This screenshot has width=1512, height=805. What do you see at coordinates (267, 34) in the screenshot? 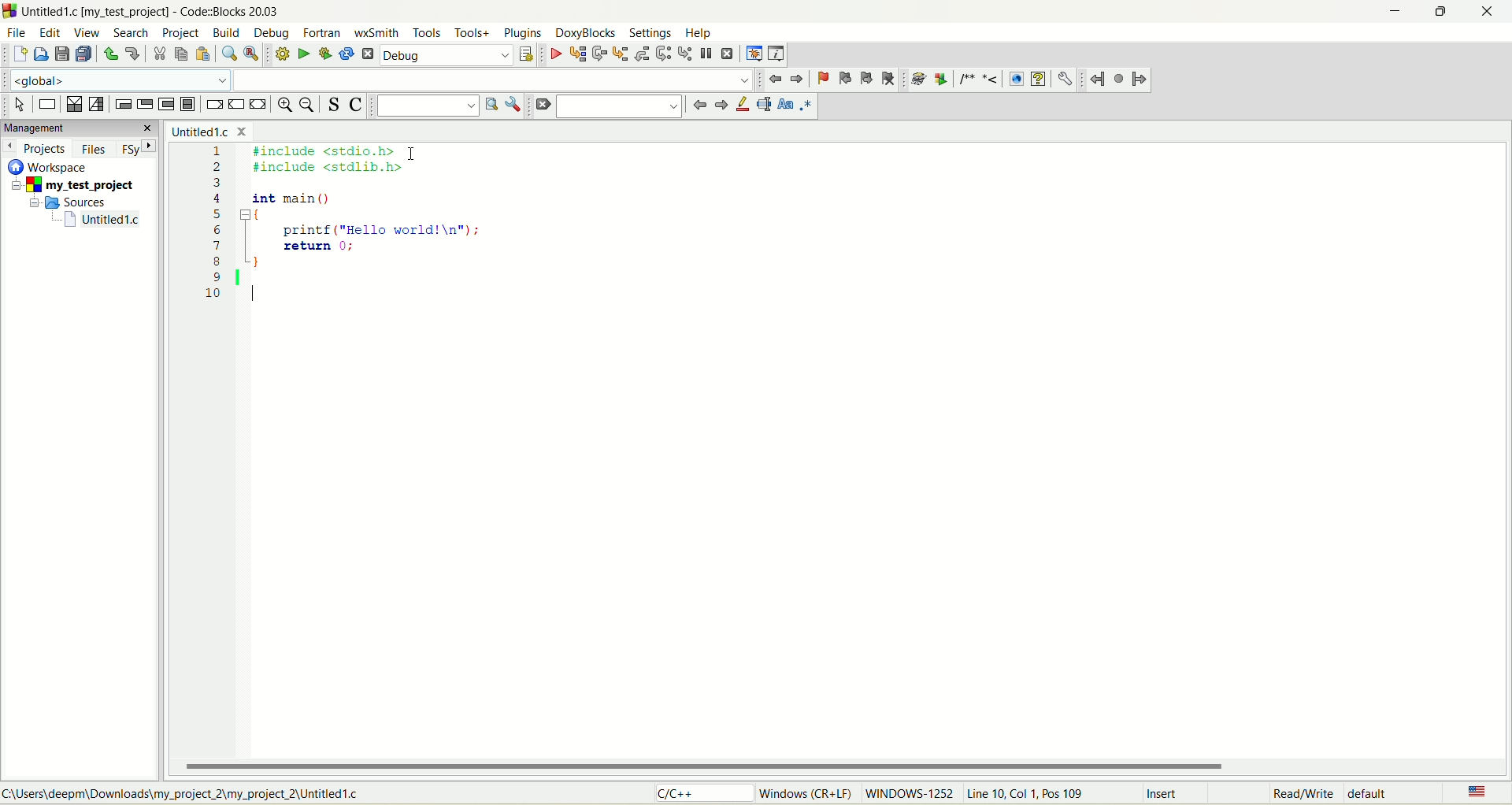
I see `debug` at bounding box center [267, 34].